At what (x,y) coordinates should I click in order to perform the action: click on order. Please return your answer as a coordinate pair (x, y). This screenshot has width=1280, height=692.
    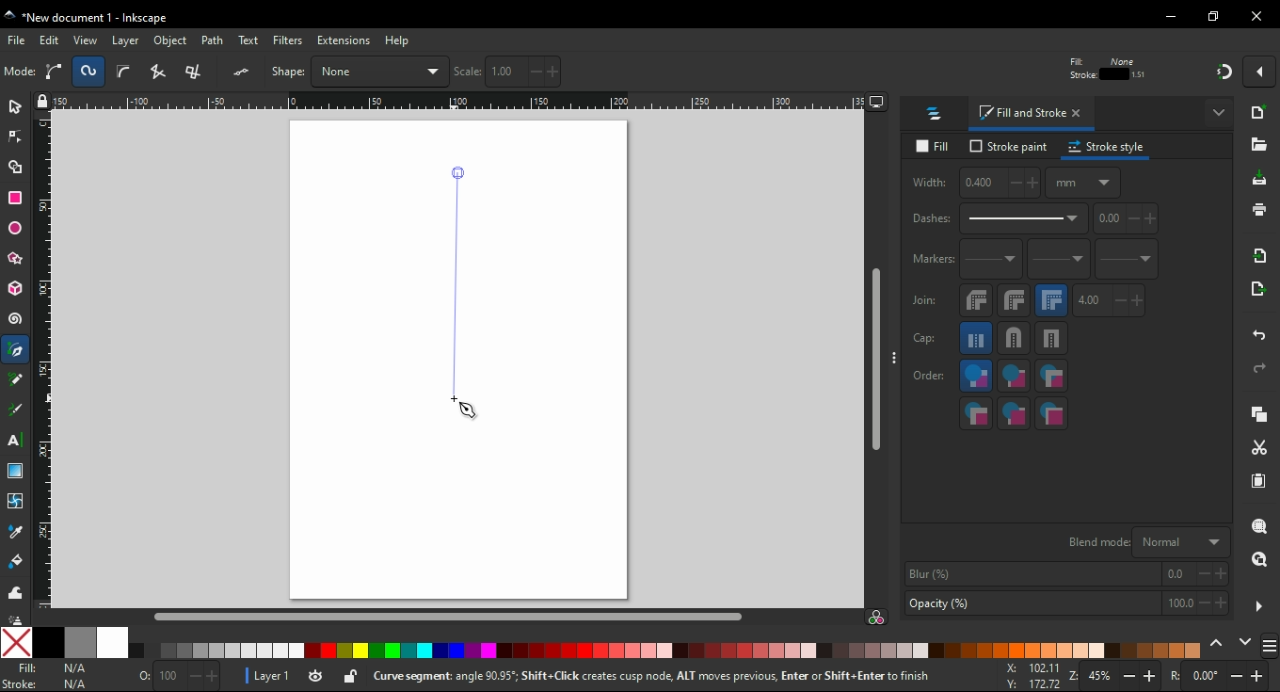
    Looking at the image, I should click on (929, 374).